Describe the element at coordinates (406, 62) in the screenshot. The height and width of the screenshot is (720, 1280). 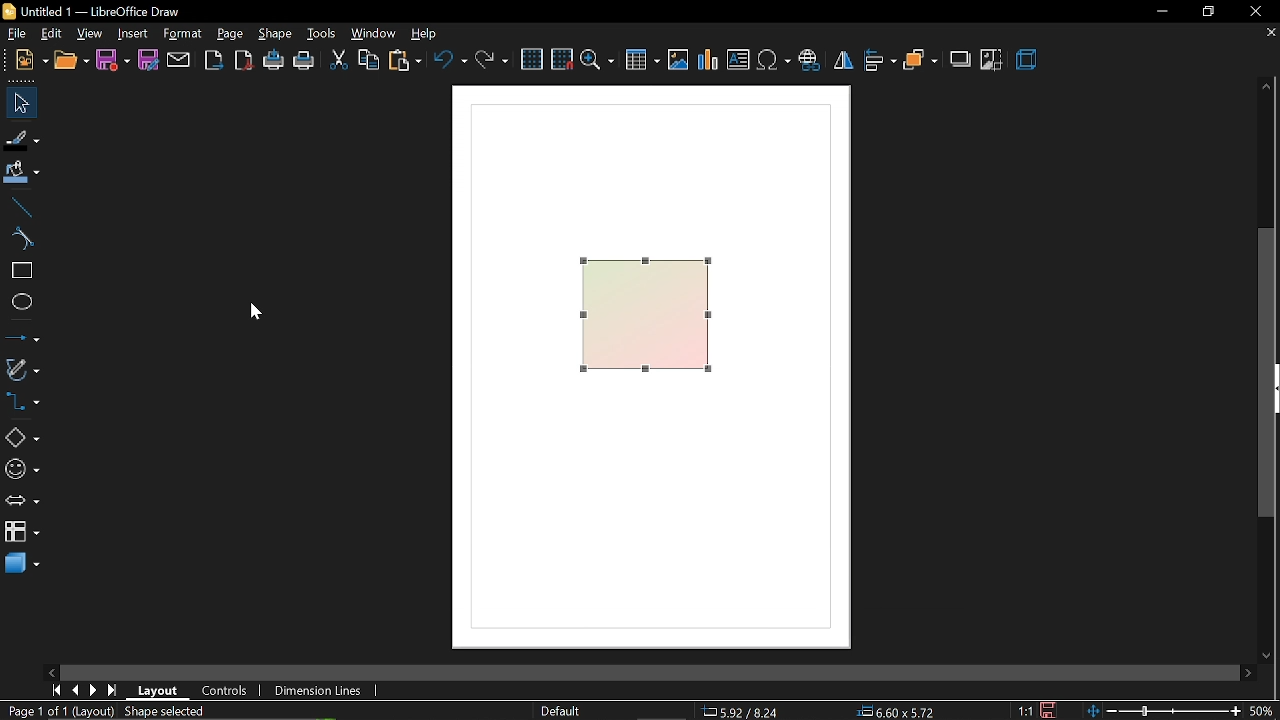
I see `paste` at that location.